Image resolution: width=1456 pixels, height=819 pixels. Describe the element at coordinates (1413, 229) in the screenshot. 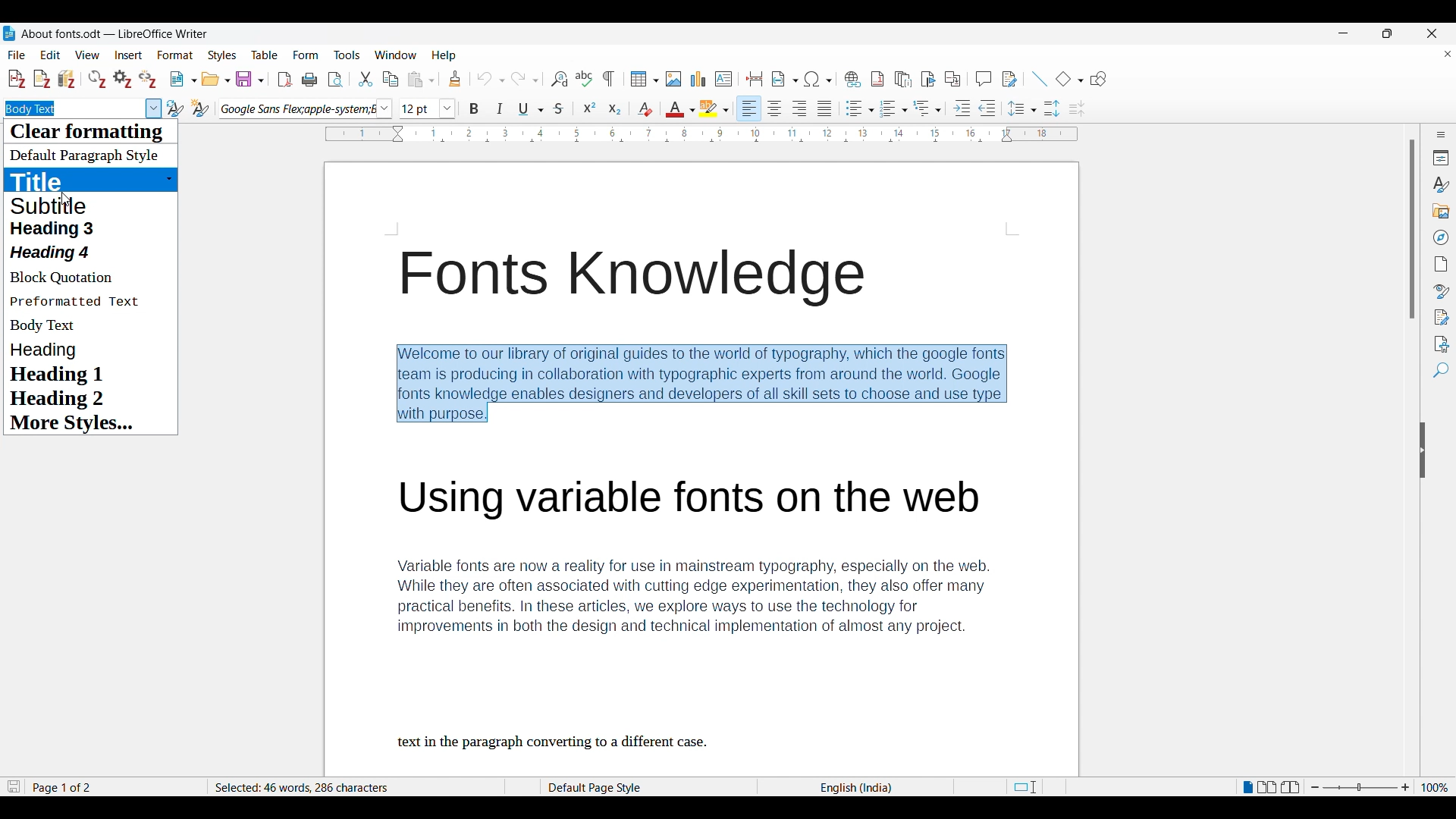

I see `Vertical slide bar` at that location.